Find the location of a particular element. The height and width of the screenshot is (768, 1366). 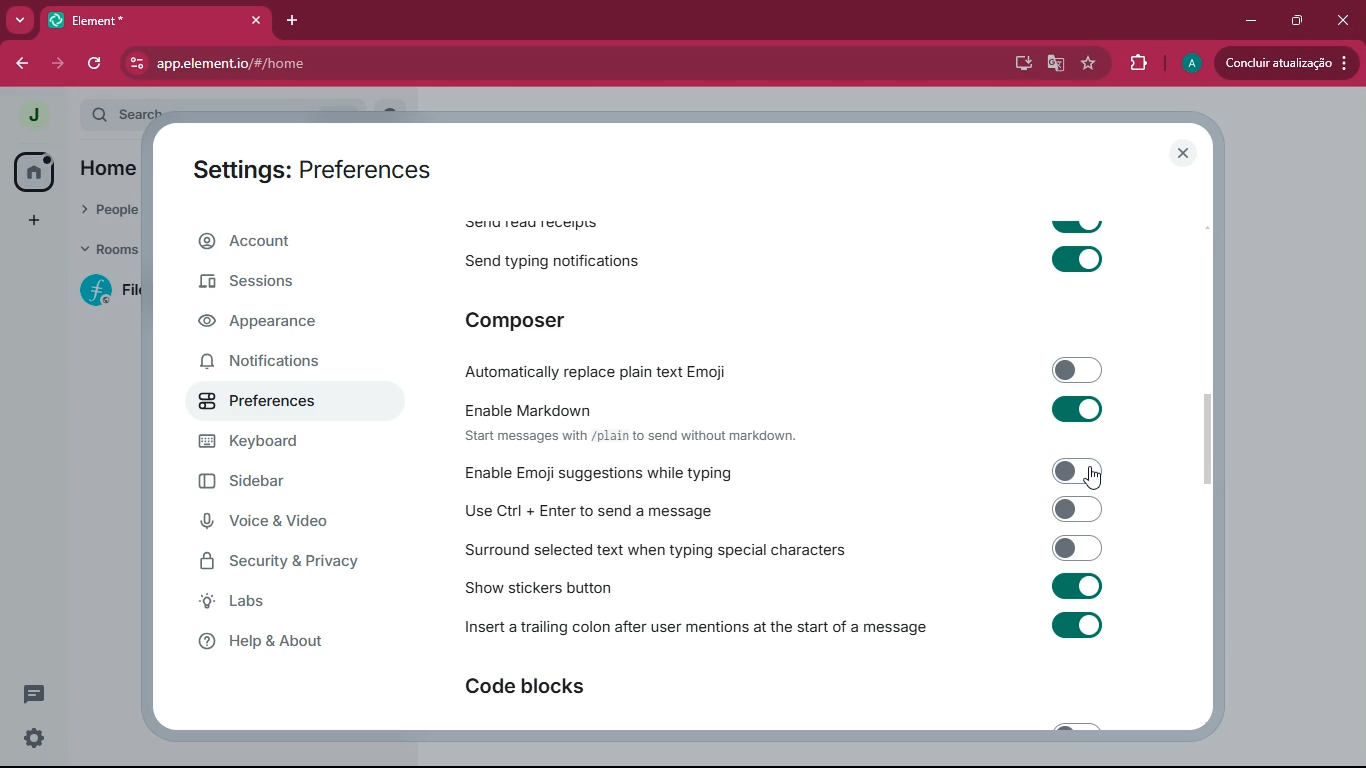

refresh is located at coordinates (96, 64).